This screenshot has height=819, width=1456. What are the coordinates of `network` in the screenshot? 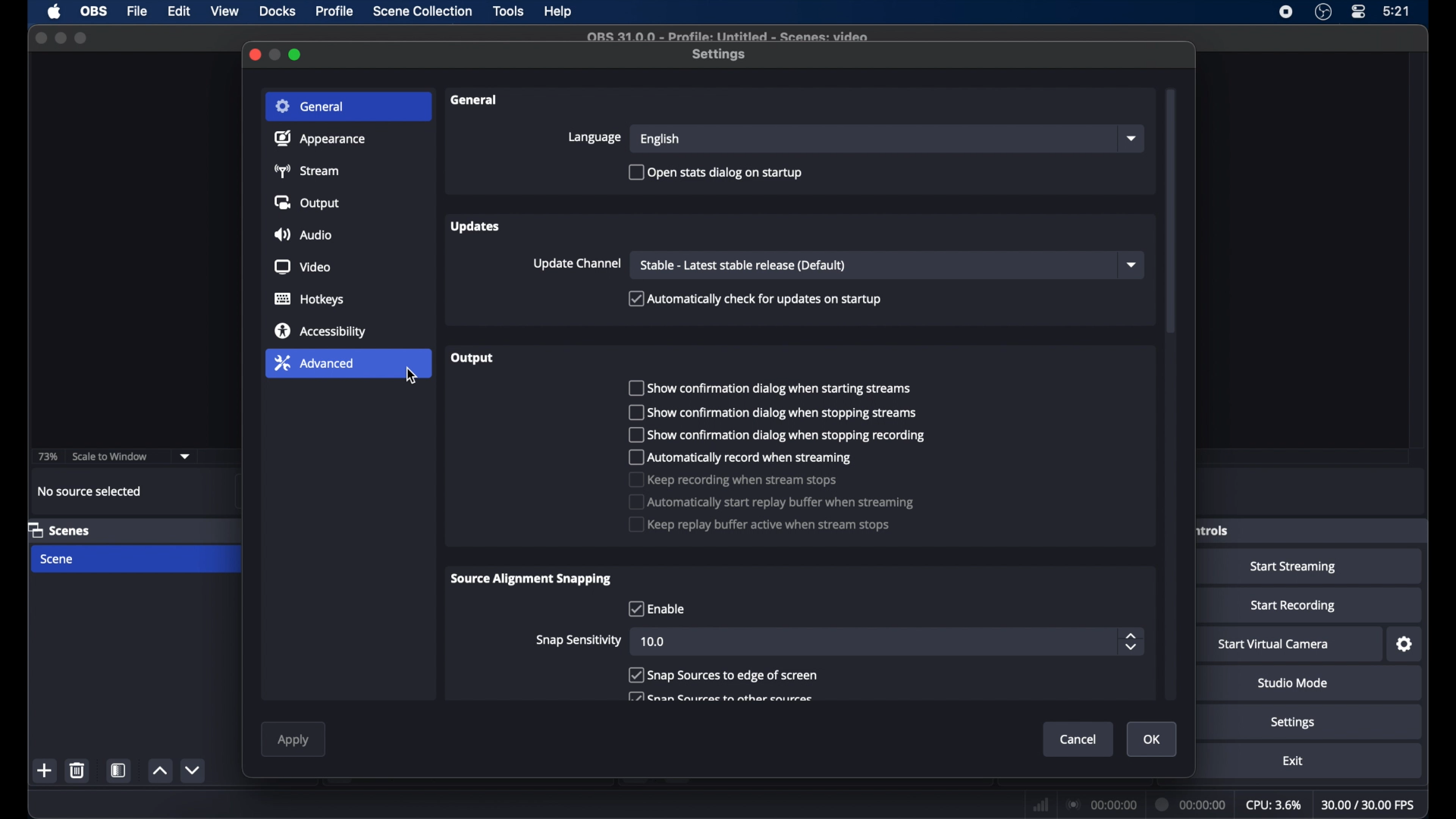 It's located at (1040, 804).